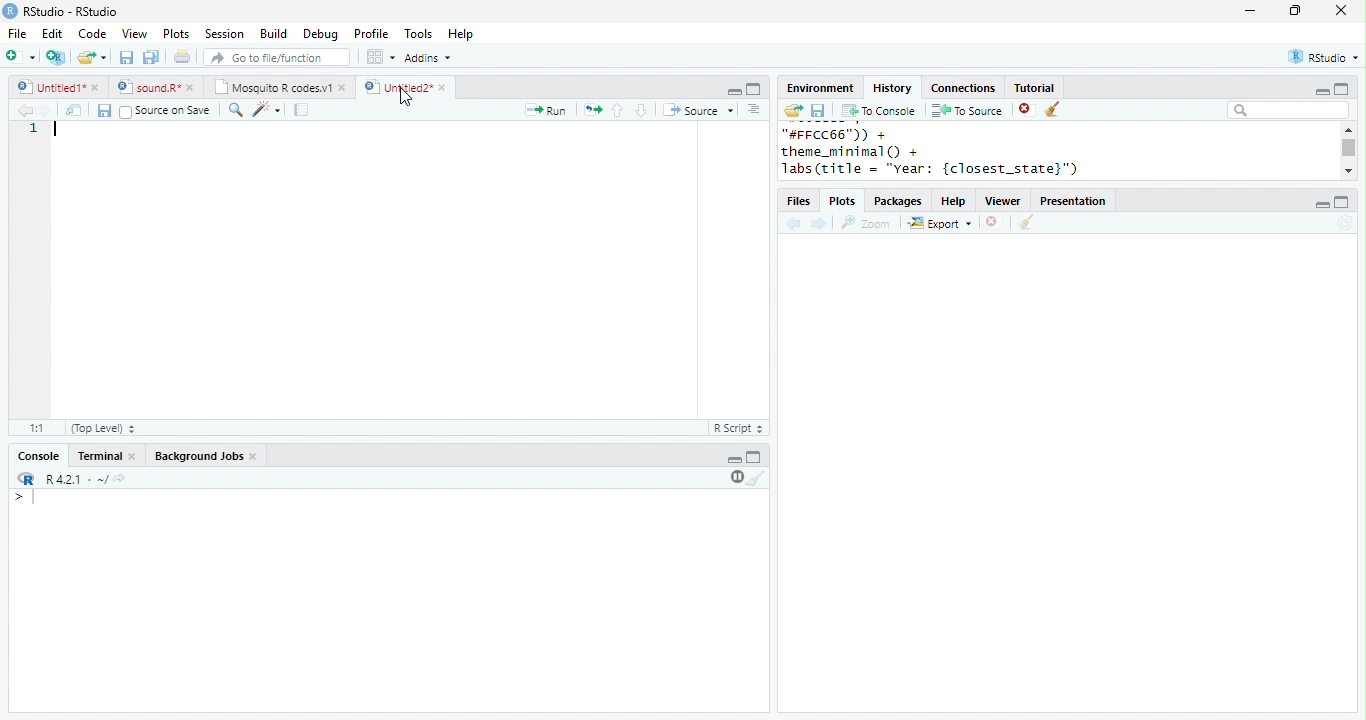 The image size is (1366, 720). What do you see at coordinates (734, 460) in the screenshot?
I see `minimize` at bounding box center [734, 460].